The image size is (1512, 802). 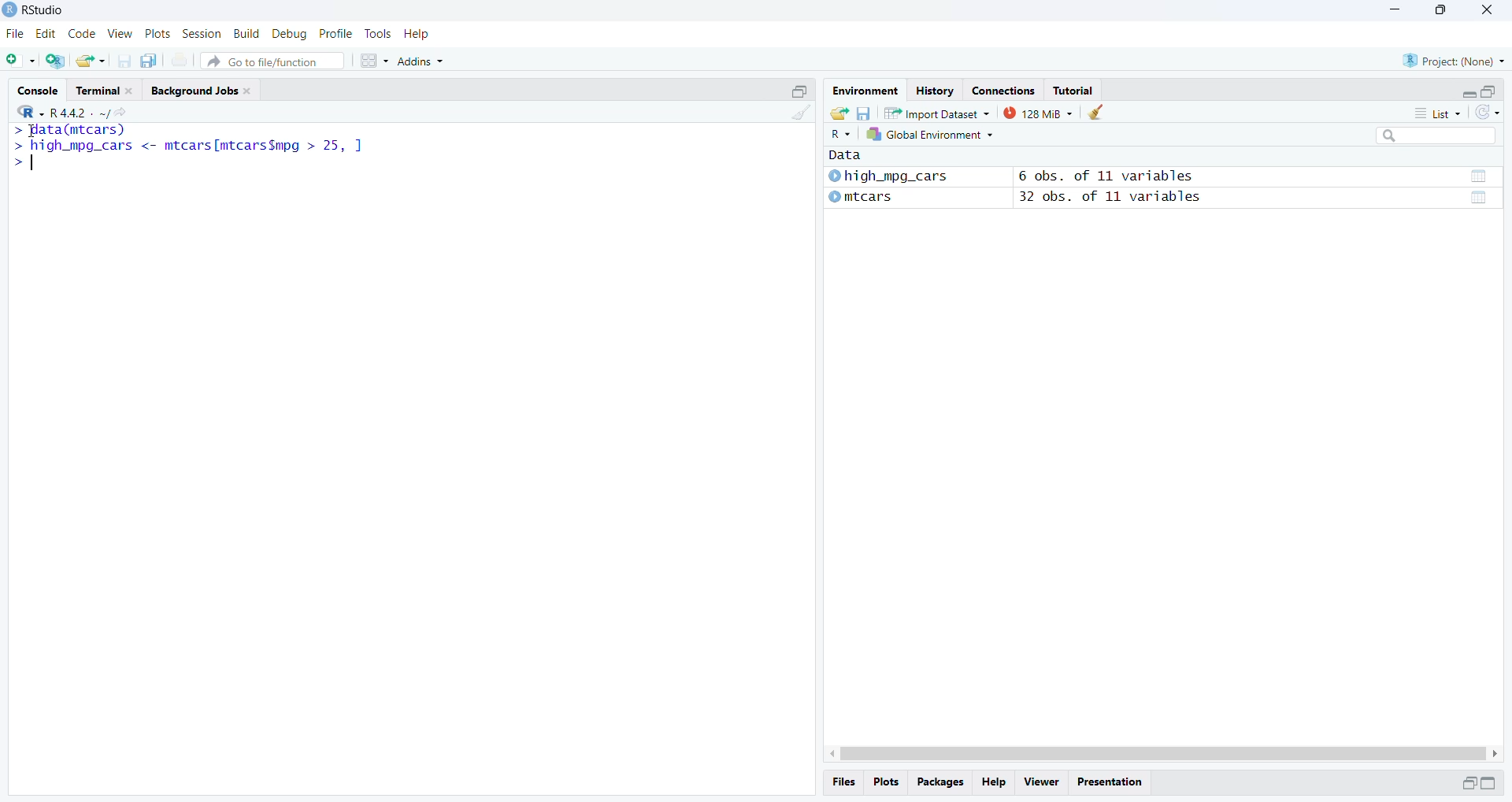 I want to click on minimize, so click(x=1469, y=94).